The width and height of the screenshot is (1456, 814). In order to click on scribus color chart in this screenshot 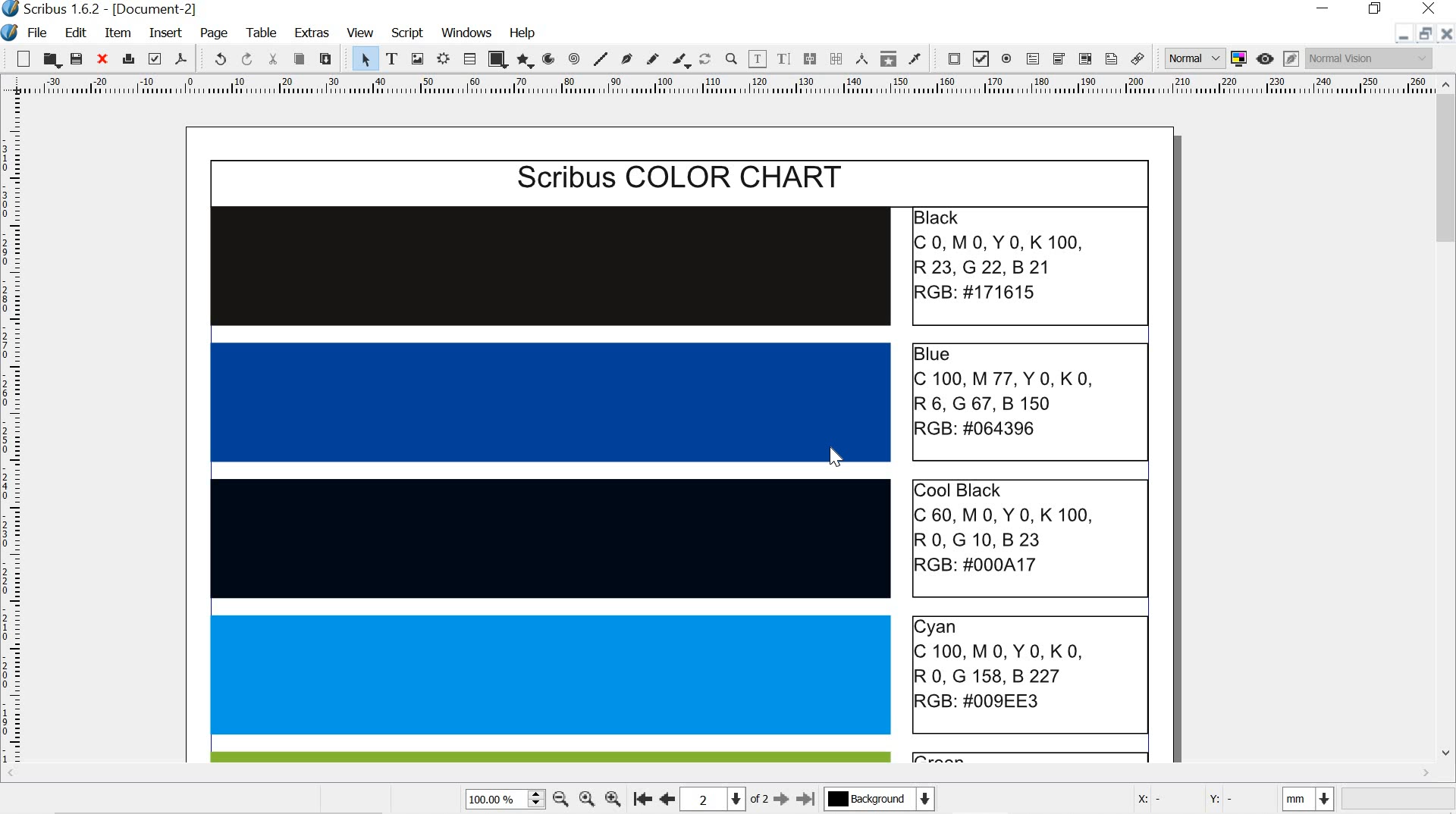, I will do `click(677, 178)`.